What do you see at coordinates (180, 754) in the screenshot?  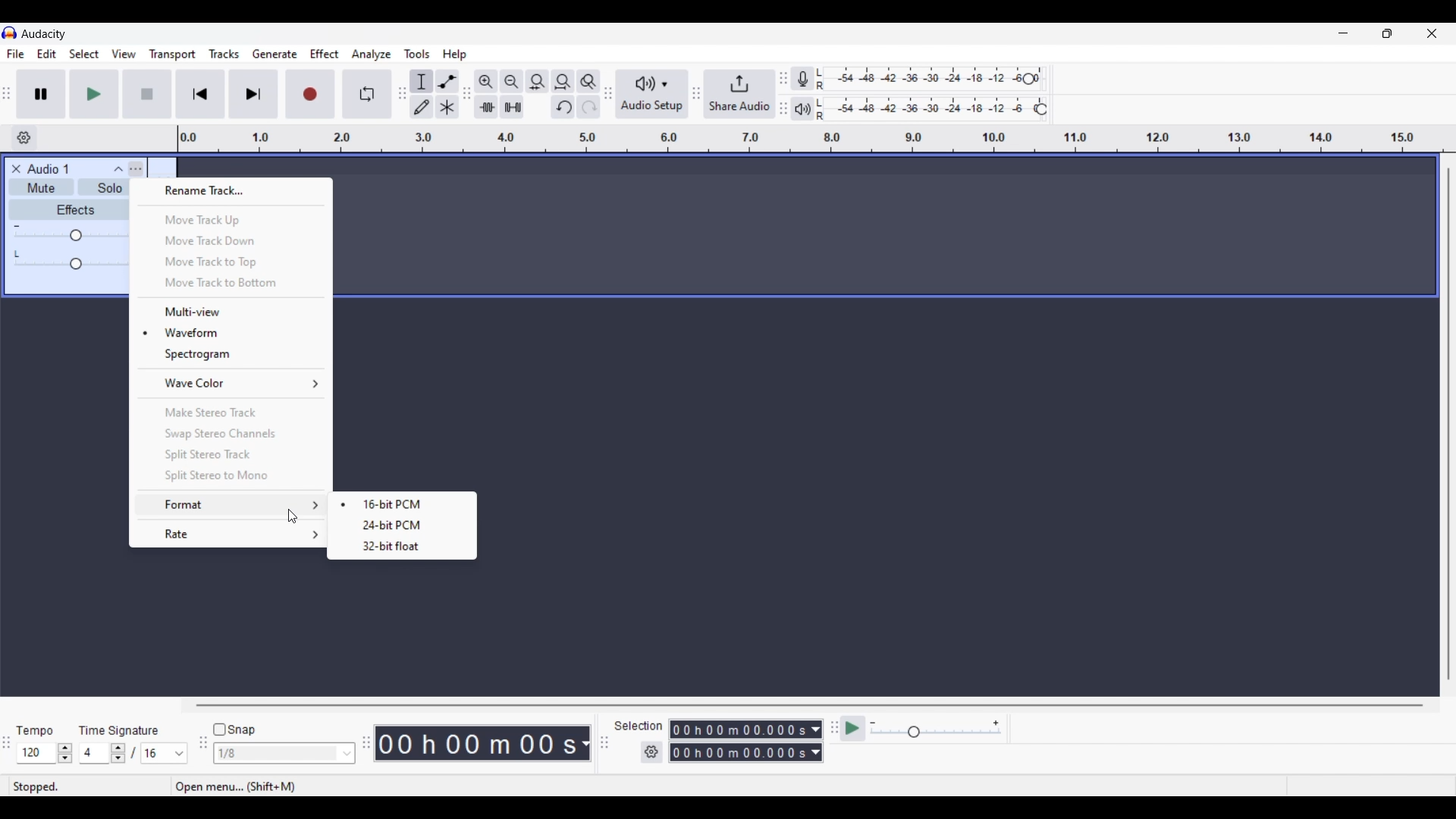 I see `Time signature options` at bounding box center [180, 754].